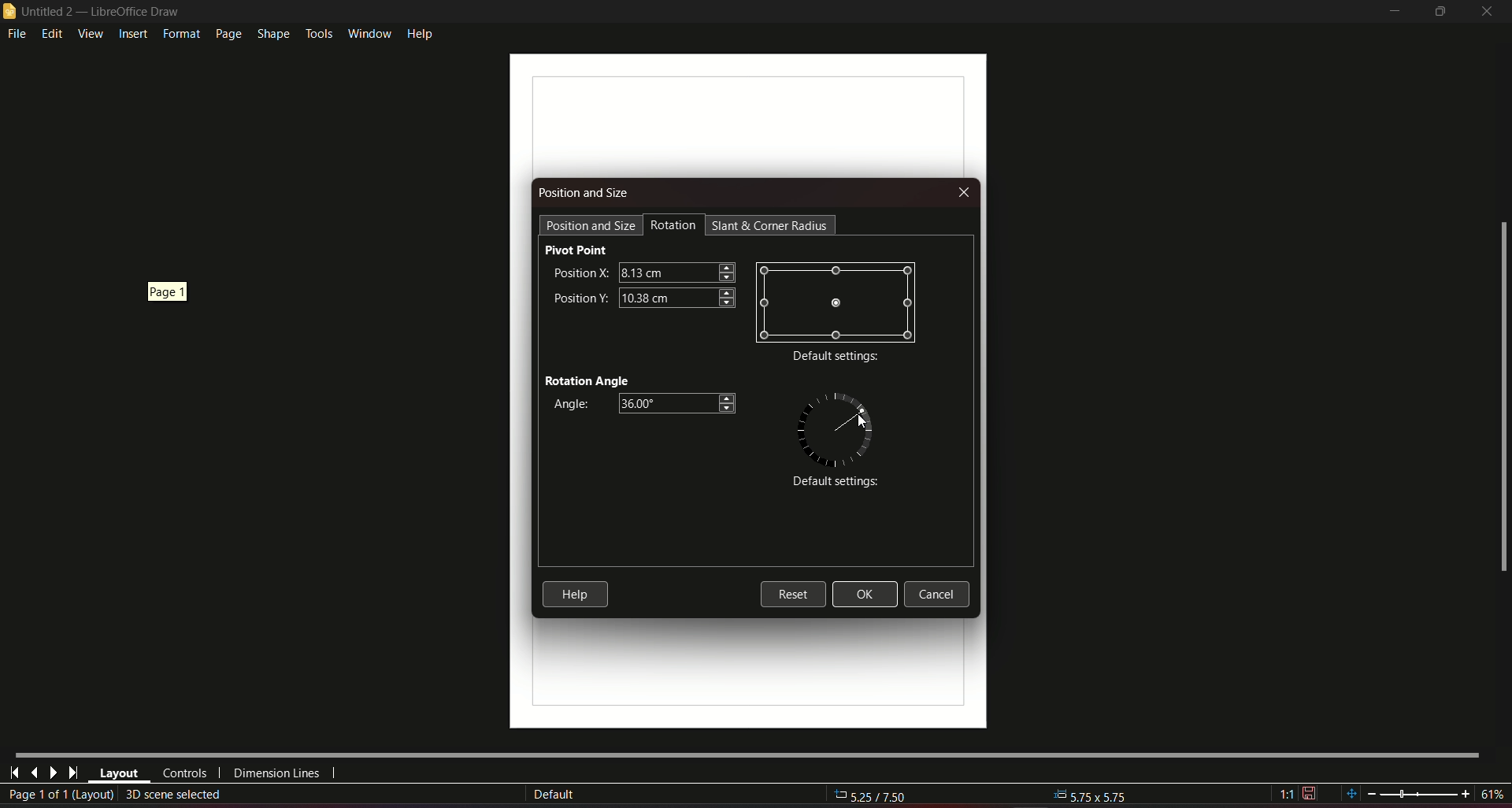 The height and width of the screenshot is (808, 1512). What do you see at coordinates (680, 403) in the screenshot?
I see `textbox` at bounding box center [680, 403].